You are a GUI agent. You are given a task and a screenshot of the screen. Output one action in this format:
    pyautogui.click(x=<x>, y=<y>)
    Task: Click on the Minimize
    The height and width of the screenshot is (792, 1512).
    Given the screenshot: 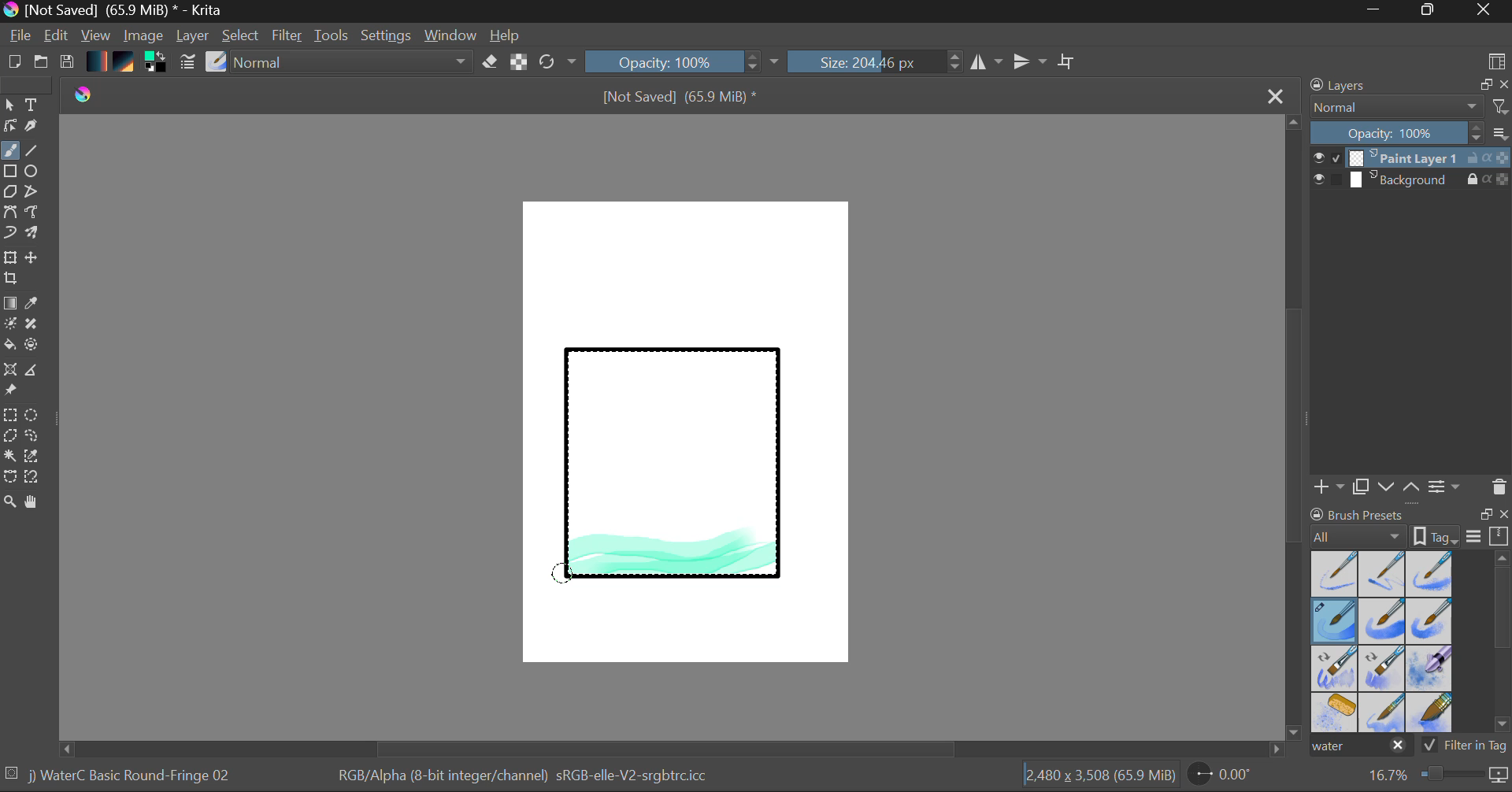 What is the action you would take?
    pyautogui.click(x=1431, y=11)
    